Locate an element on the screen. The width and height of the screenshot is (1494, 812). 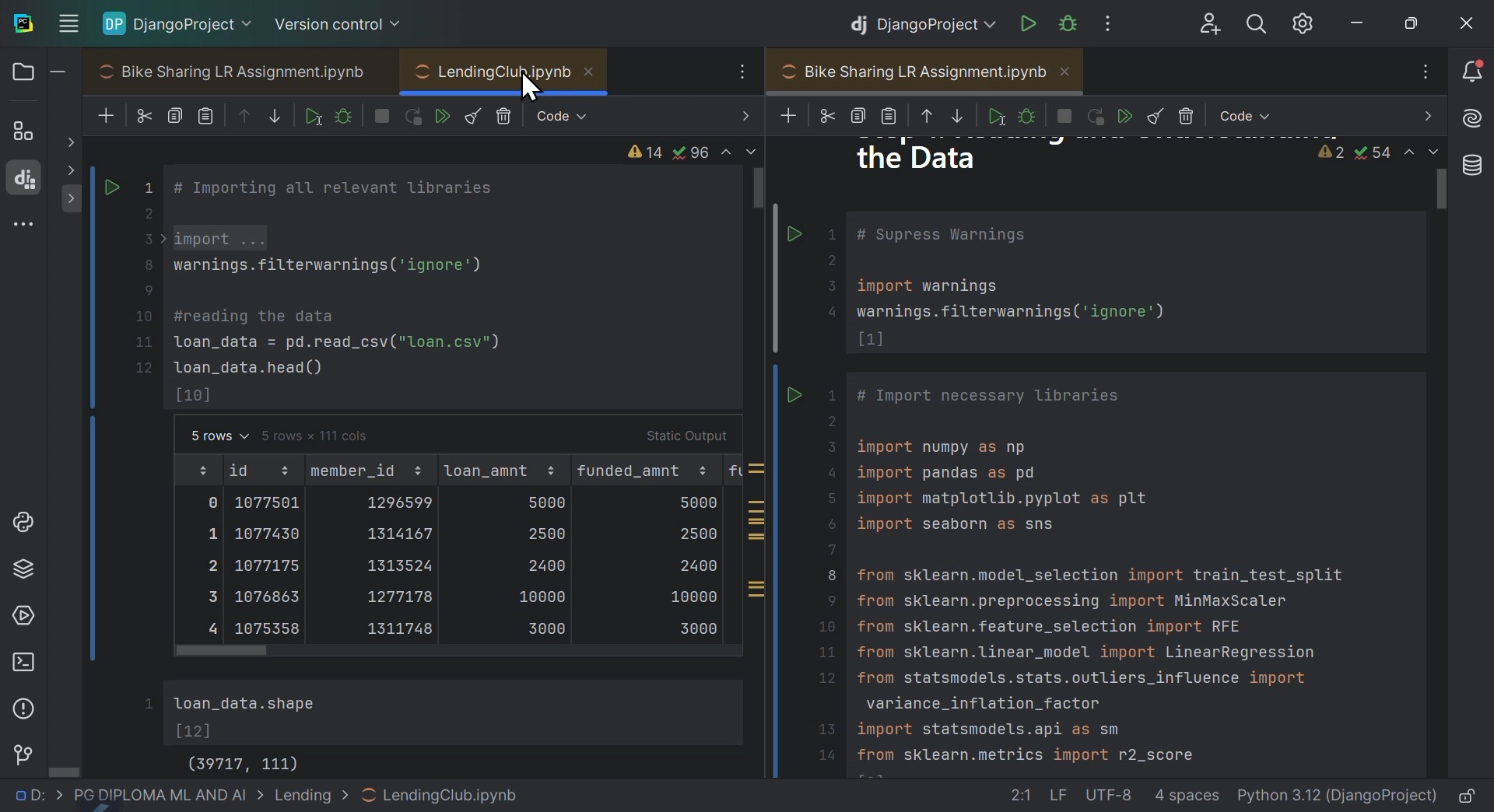
Run Kernel is located at coordinates (413, 114).